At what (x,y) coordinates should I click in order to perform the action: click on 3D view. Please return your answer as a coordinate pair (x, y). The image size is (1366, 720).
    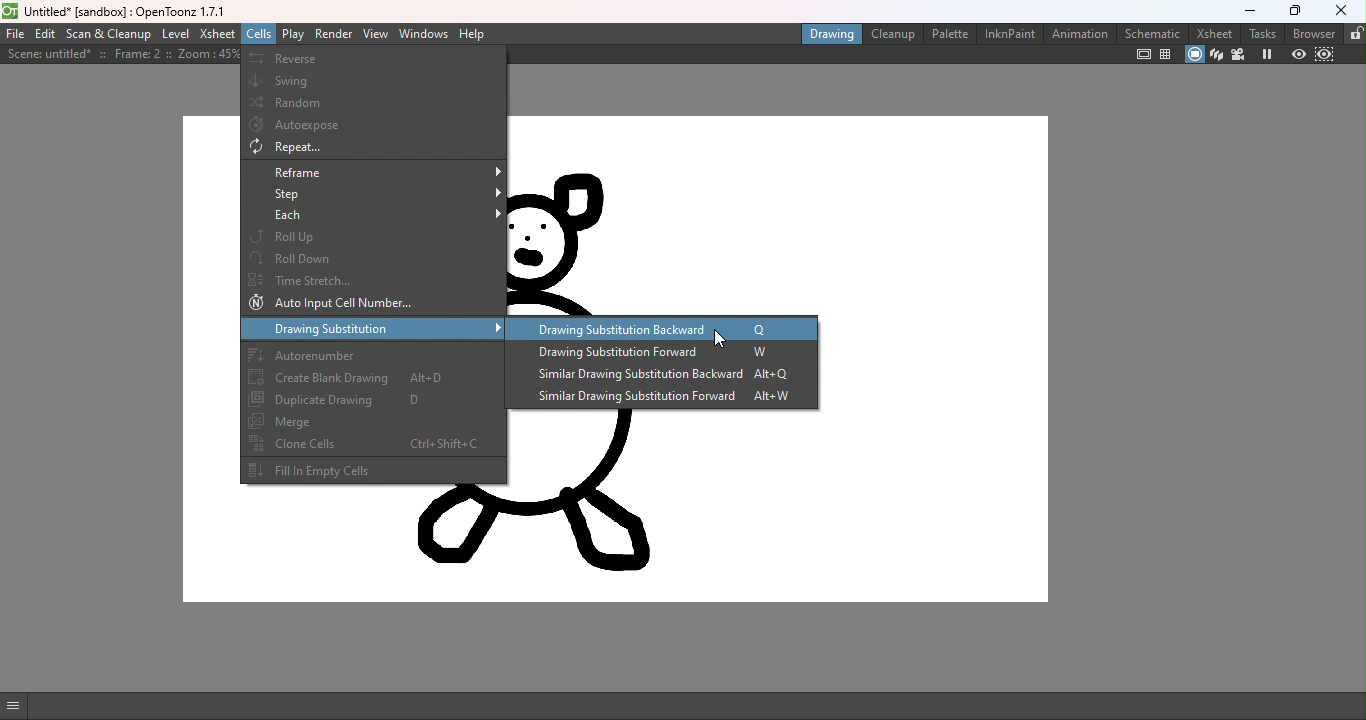
    Looking at the image, I should click on (1216, 55).